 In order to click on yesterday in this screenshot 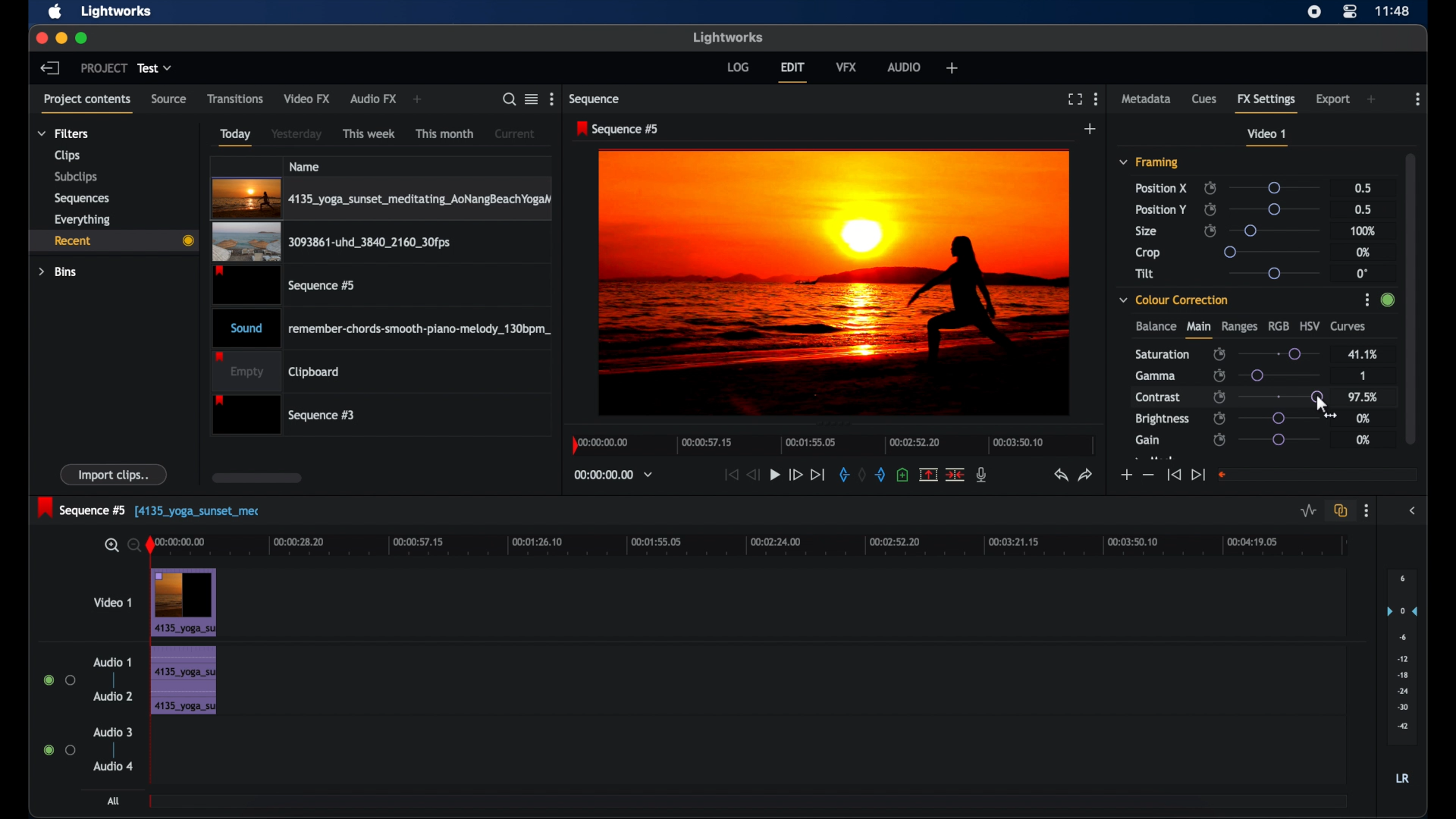, I will do `click(297, 134)`.